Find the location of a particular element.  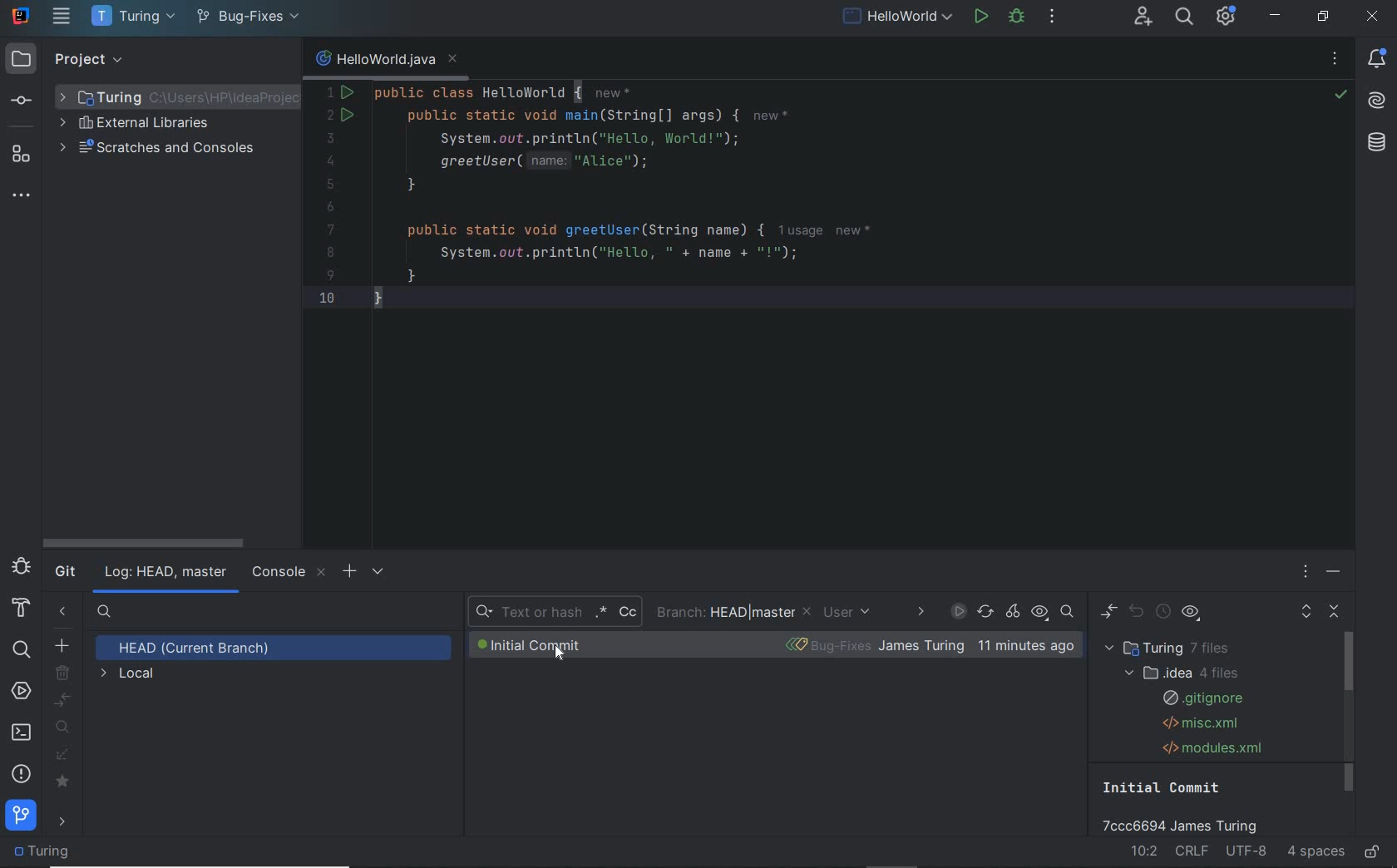

commit is located at coordinates (24, 101).